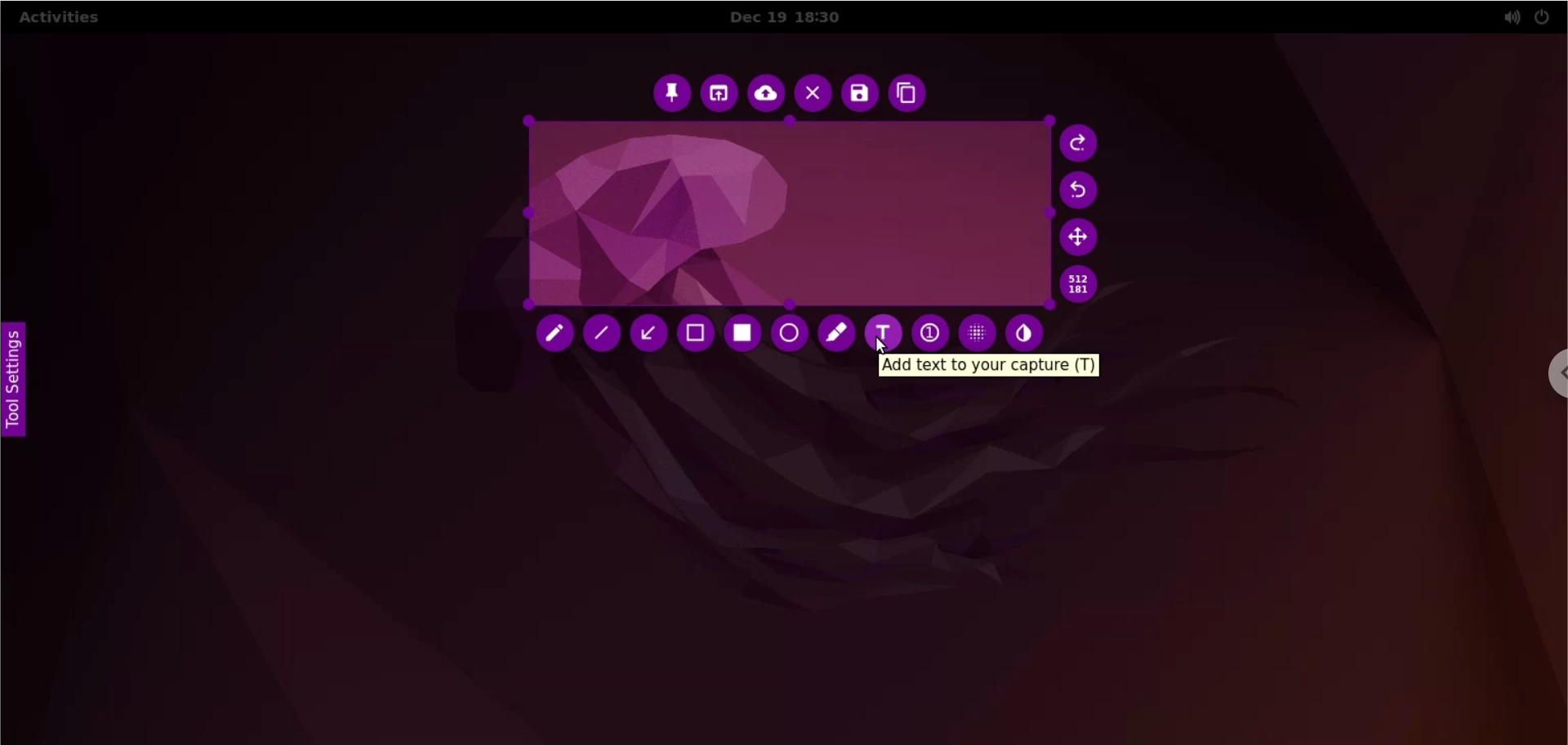 This screenshot has width=1568, height=745. Describe the element at coordinates (764, 94) in the screenshot. I see `upload` at that location.